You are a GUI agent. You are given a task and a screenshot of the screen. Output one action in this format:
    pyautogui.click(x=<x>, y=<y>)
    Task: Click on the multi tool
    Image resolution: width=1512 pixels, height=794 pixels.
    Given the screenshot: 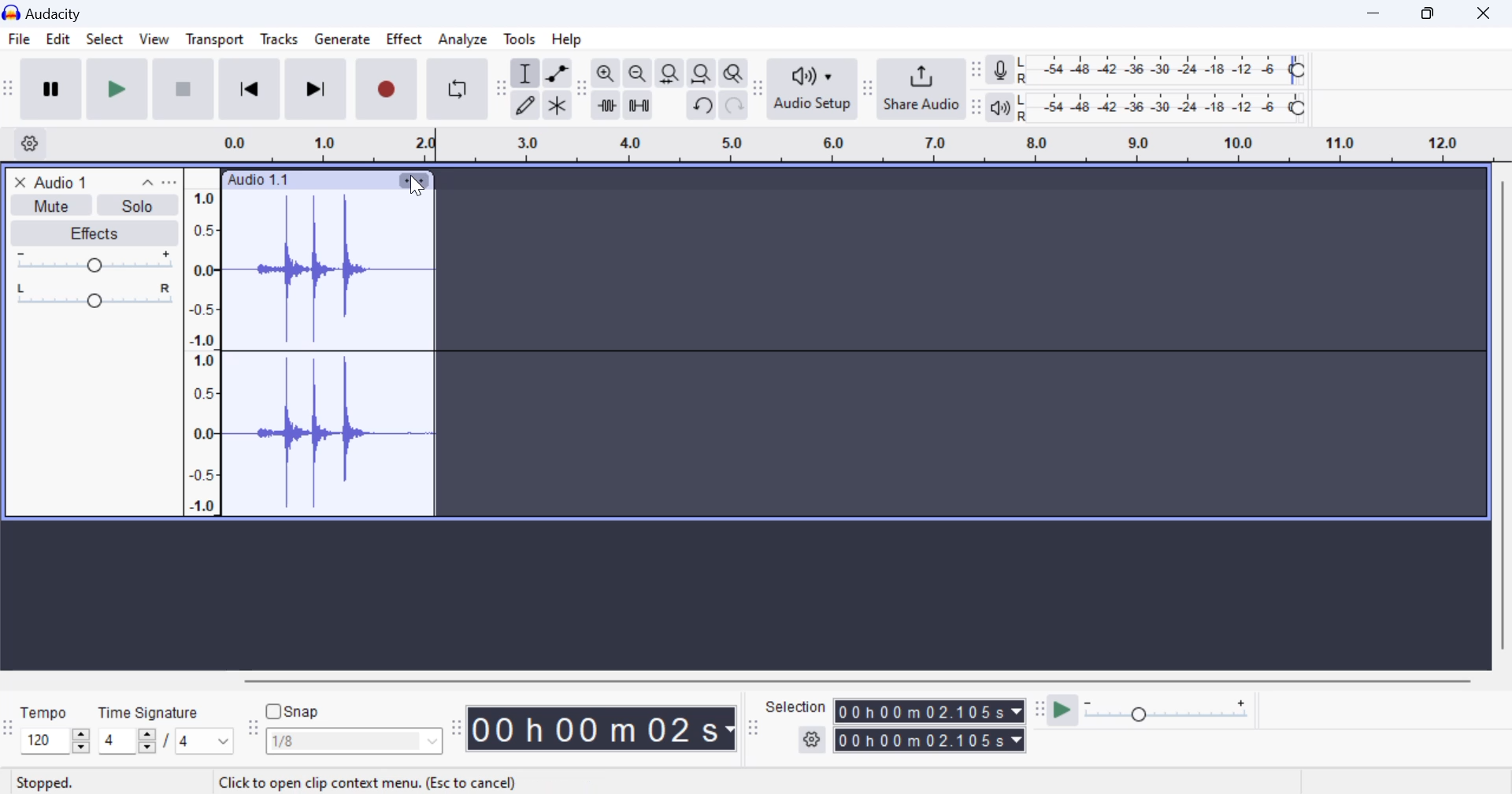 What is the action you would take?
    pyautogui.click(x=558, y=106)
    